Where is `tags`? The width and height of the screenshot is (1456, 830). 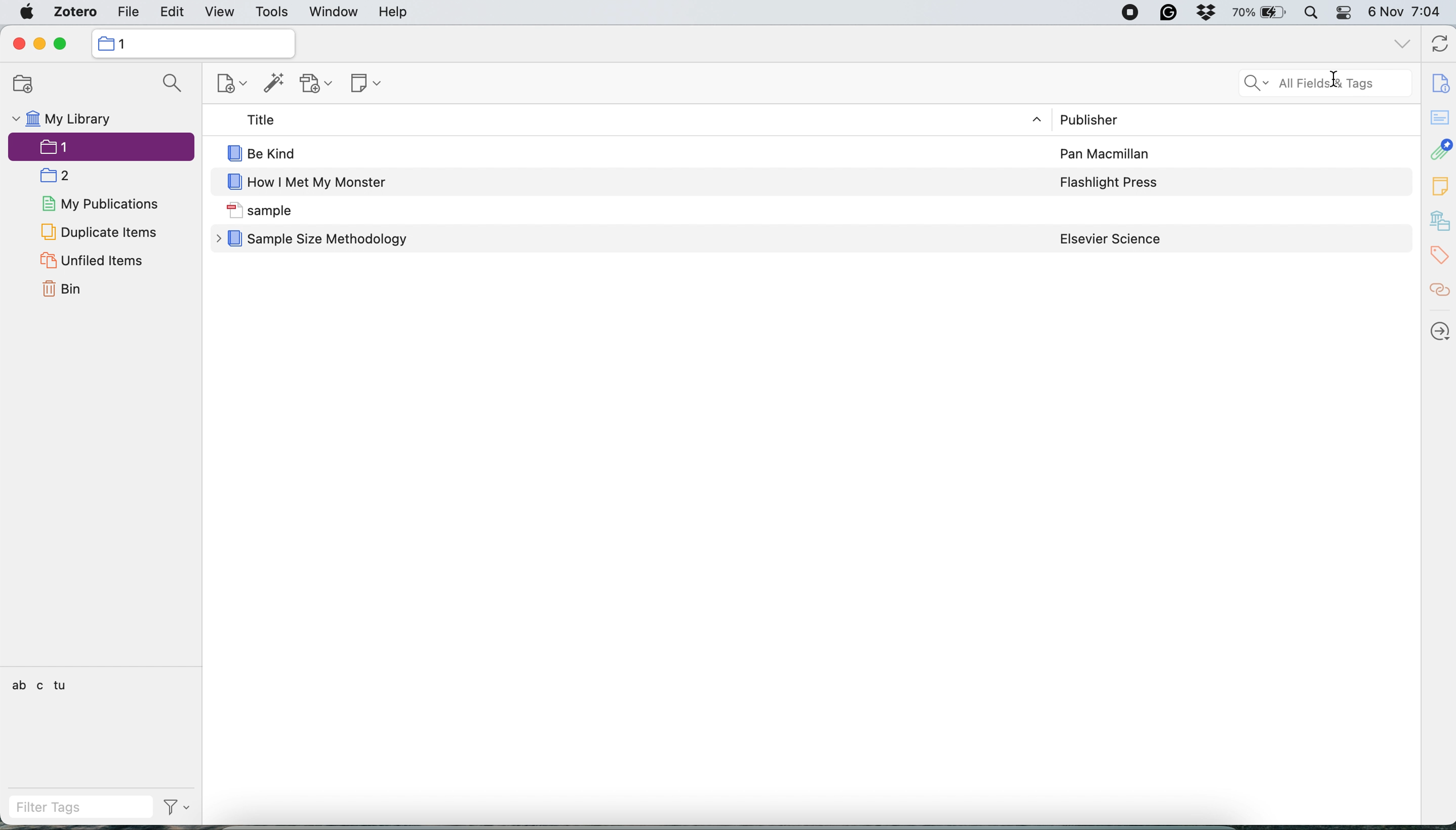 tags is located at coordinates (1438, 256).